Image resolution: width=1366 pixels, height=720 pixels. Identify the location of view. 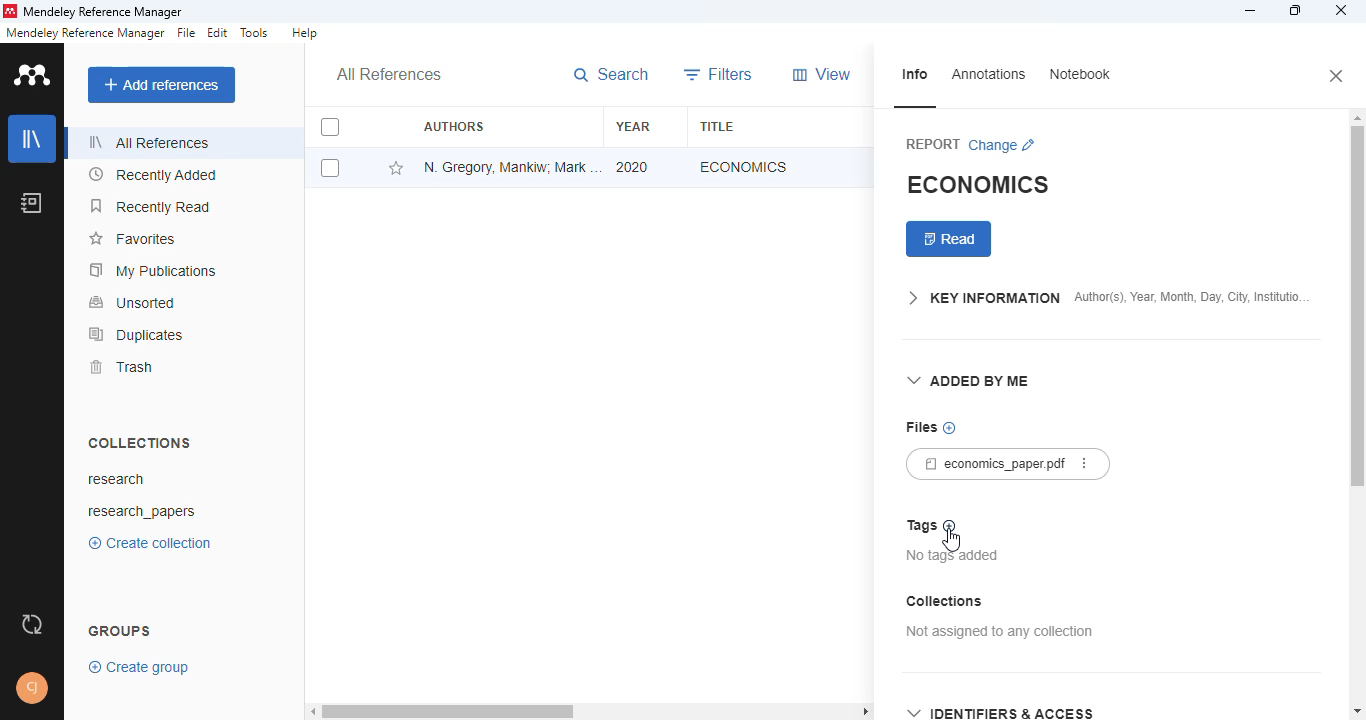
(821, 74).